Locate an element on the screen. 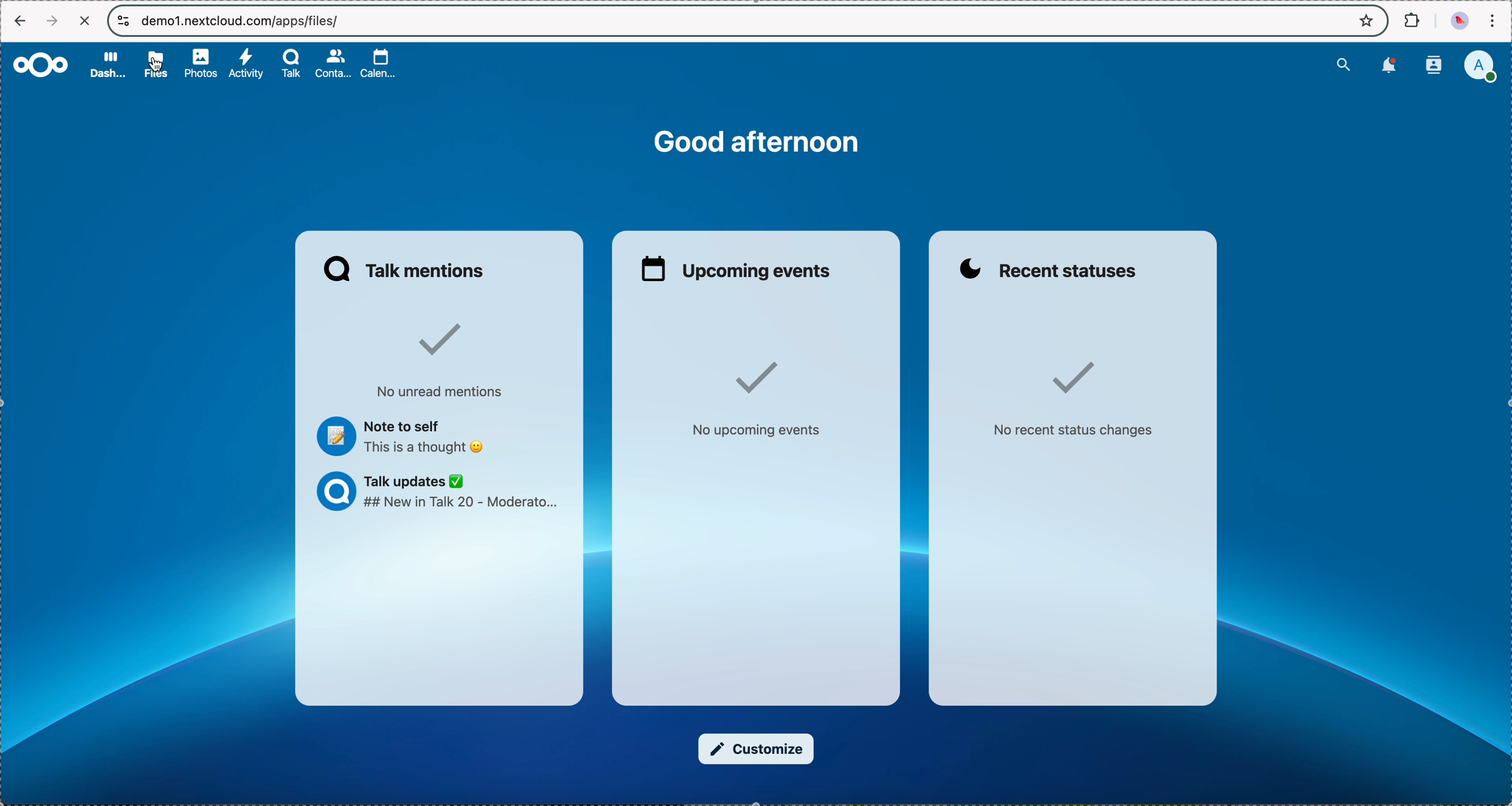 The image size is (1512, 806). favorites is located at coordinates (1365, 20).